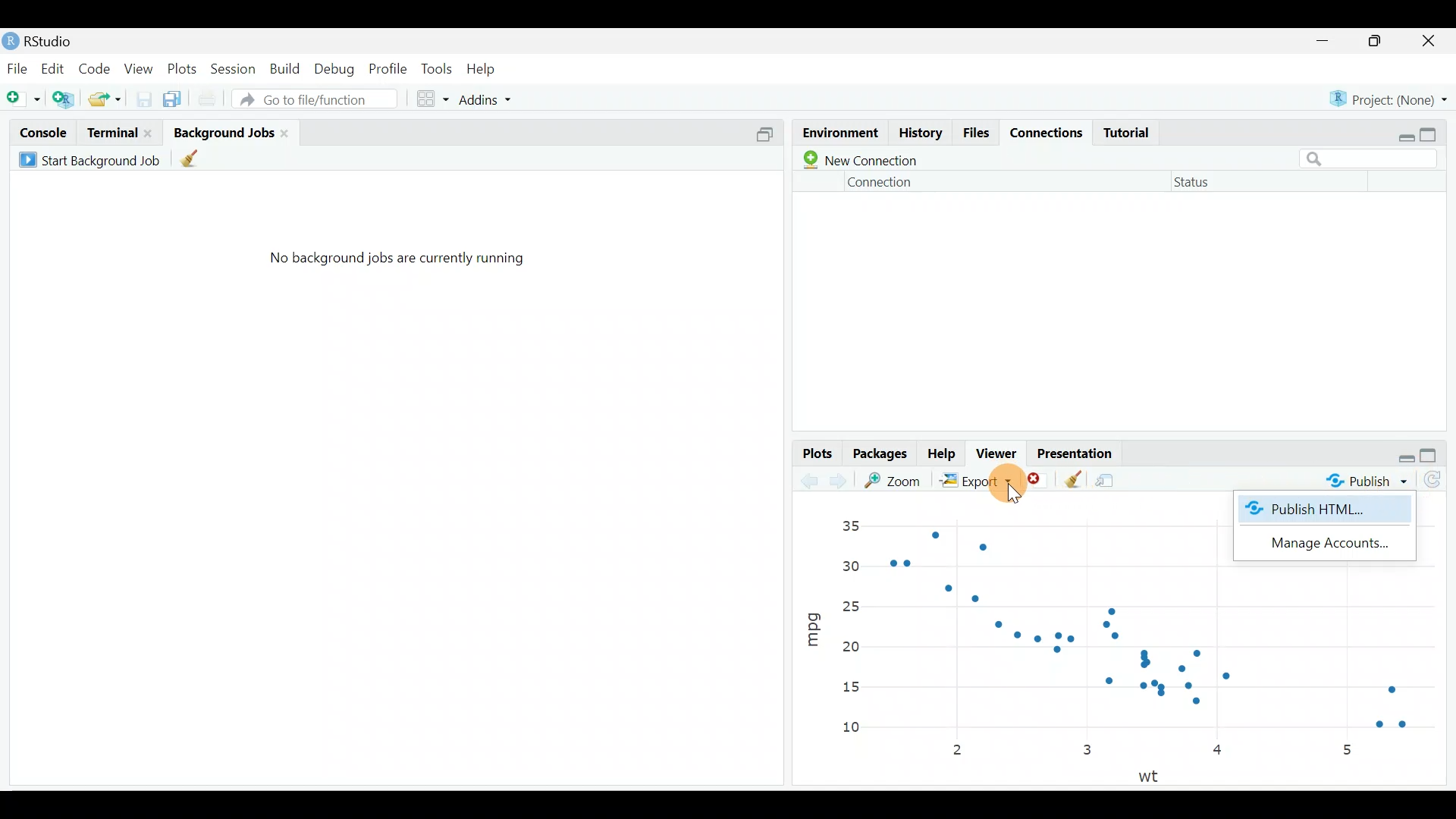 This screenshot has height=819, width=1456. I want to click on Cursor, so click(1000, 485).